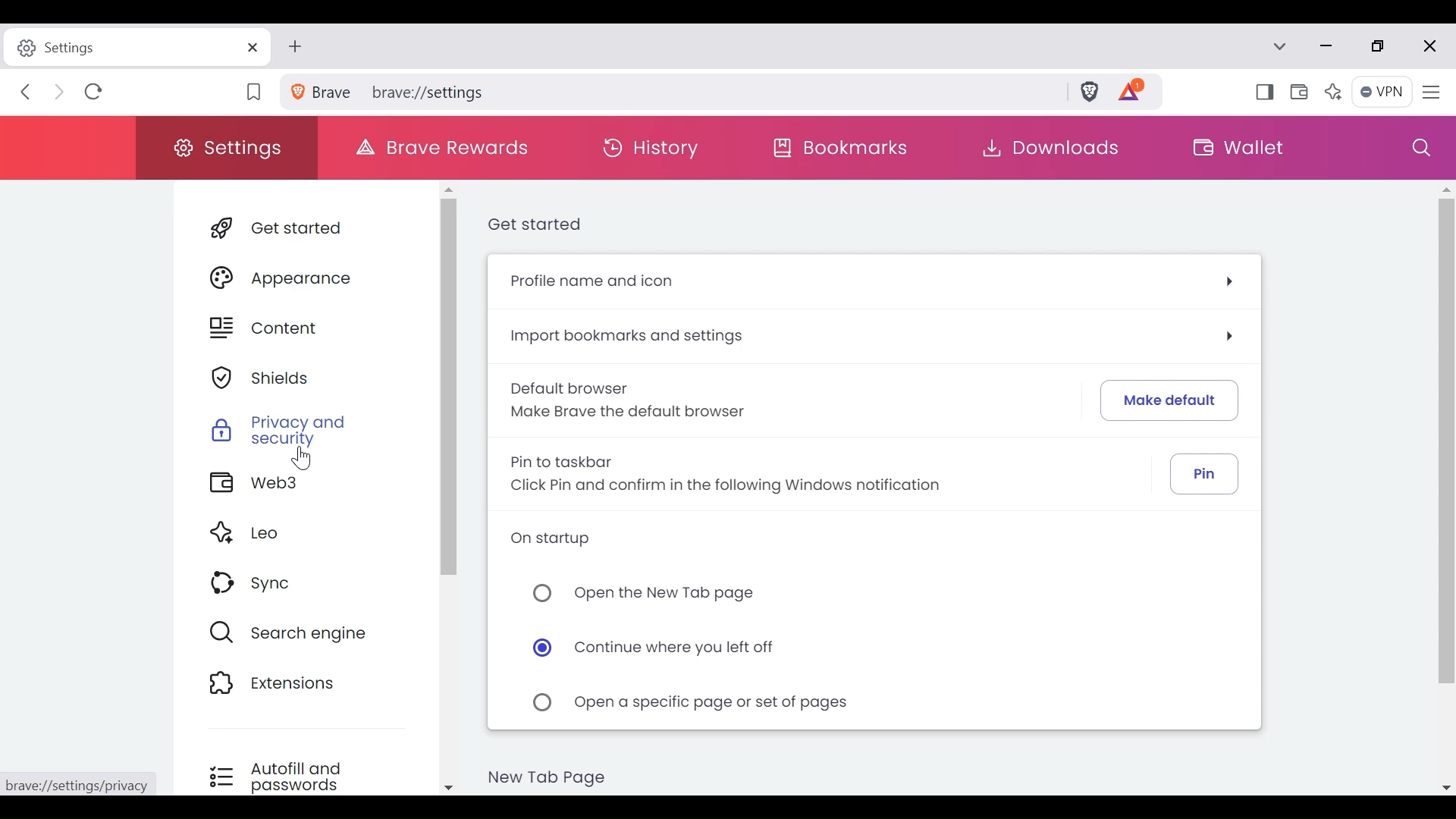 The image size is (1456, 819). Describe the element at coordinates (868, 403) in the screenshot. I see `Default browser` at that location.